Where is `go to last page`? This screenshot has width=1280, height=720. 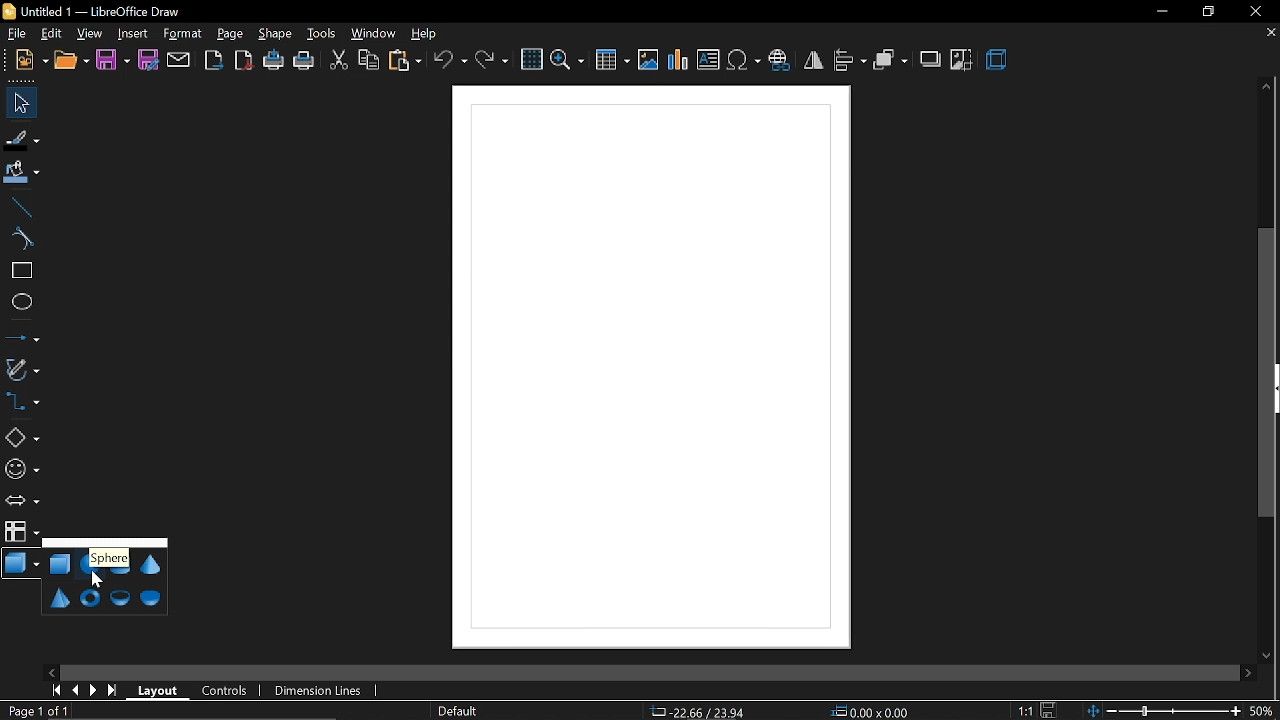 go to last page is located at coordinates (115, 692).